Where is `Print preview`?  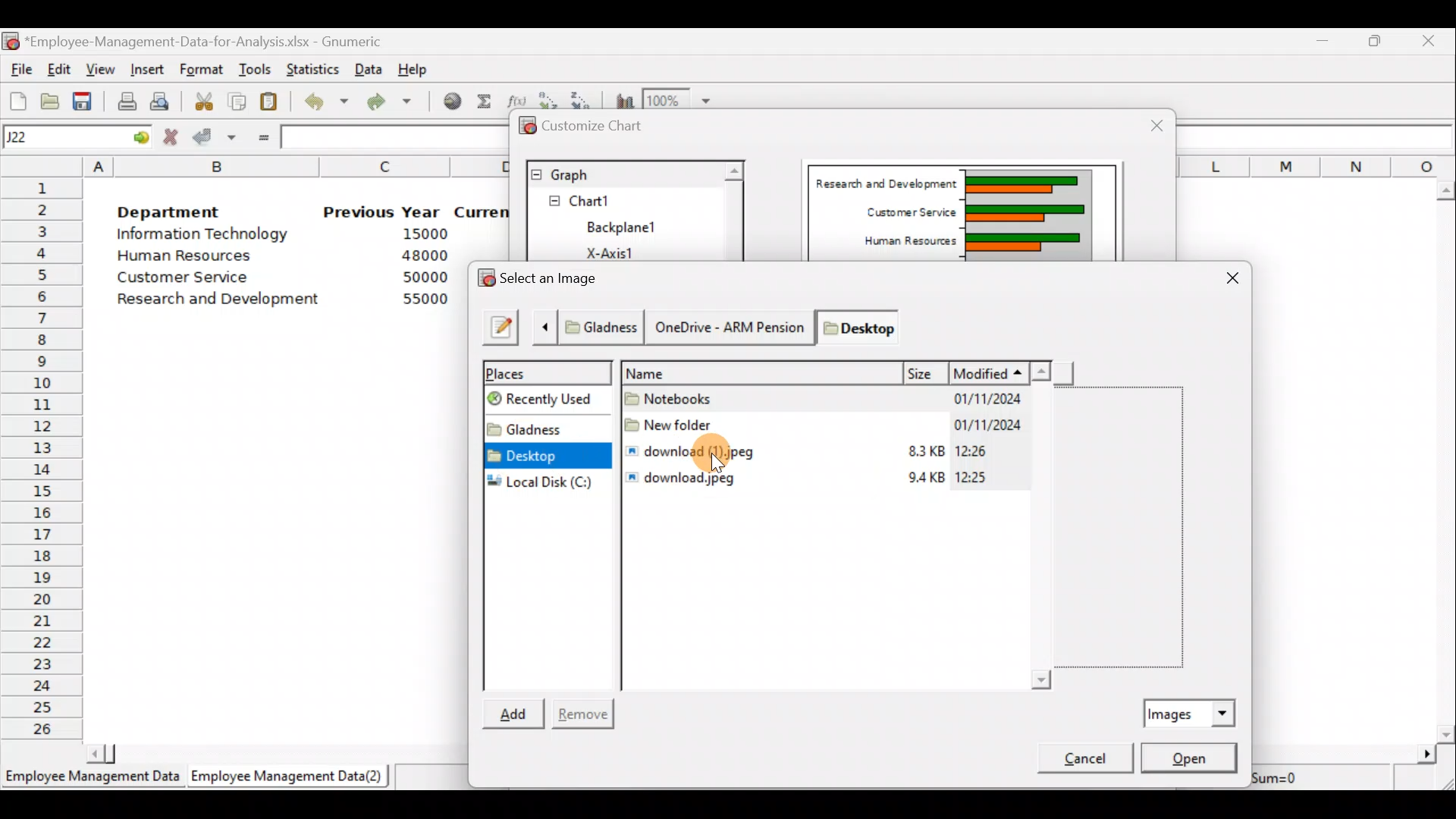
Print preview is located at coordinates (161, 101).